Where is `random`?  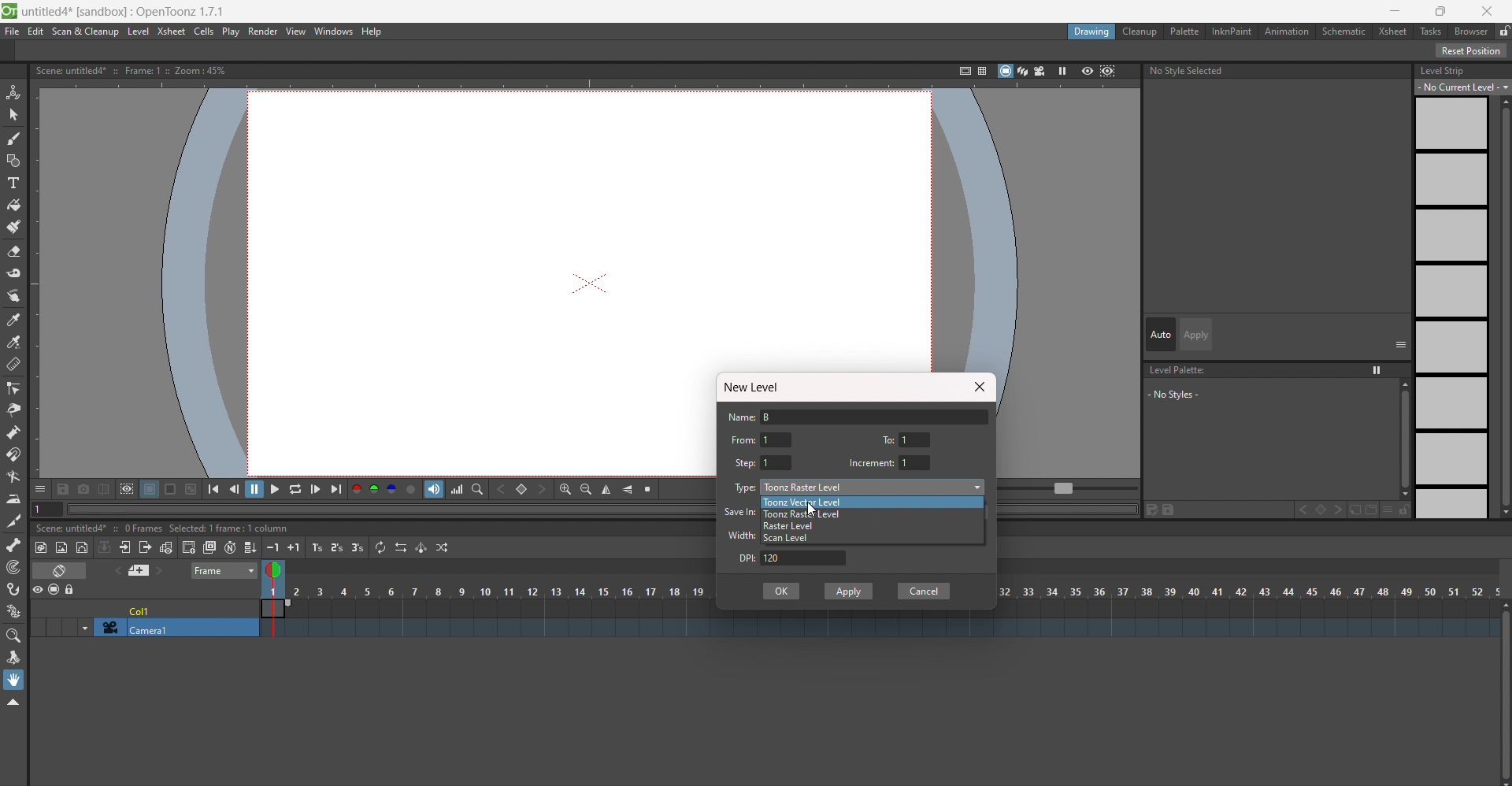
random is located at coordinates (444, 547).